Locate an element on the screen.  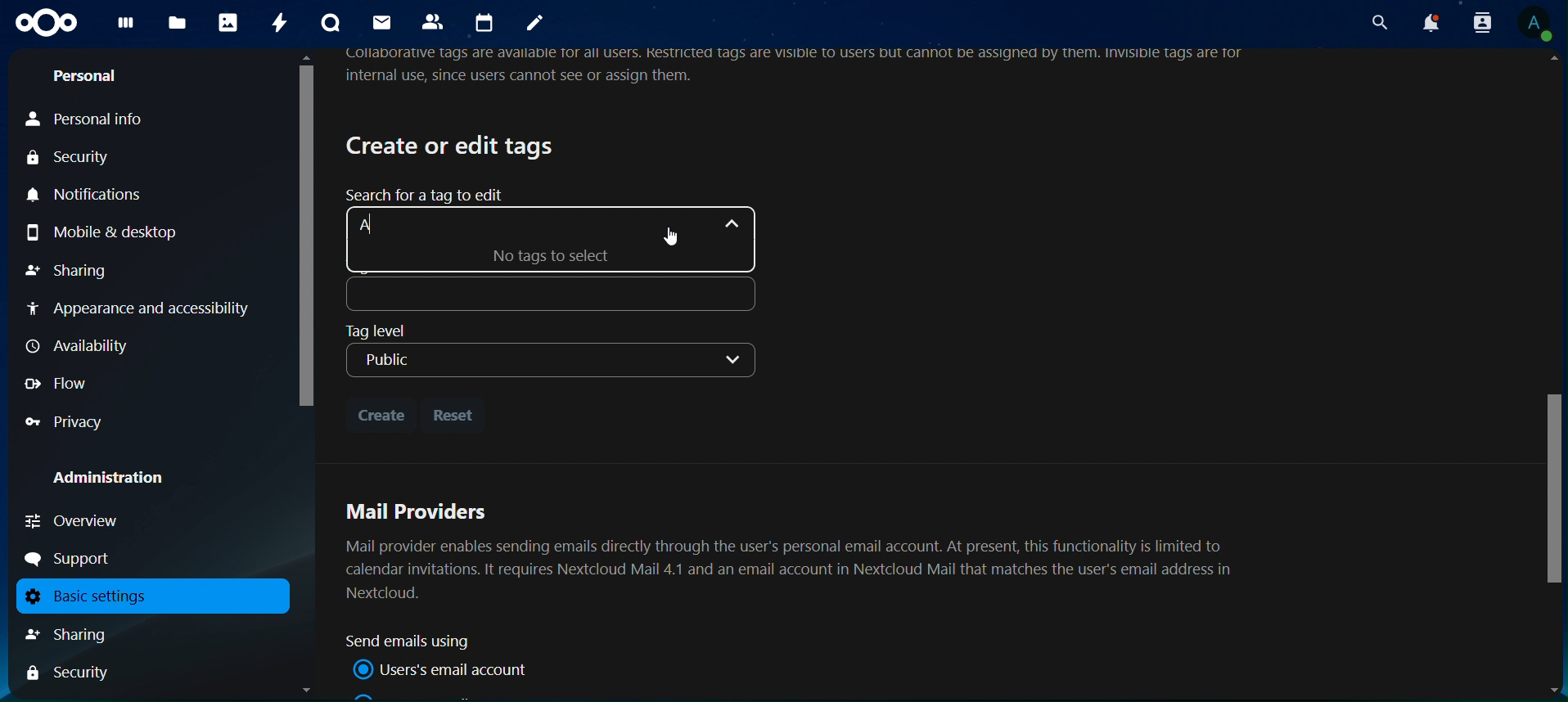
Security is located at coordinates (69, 674).